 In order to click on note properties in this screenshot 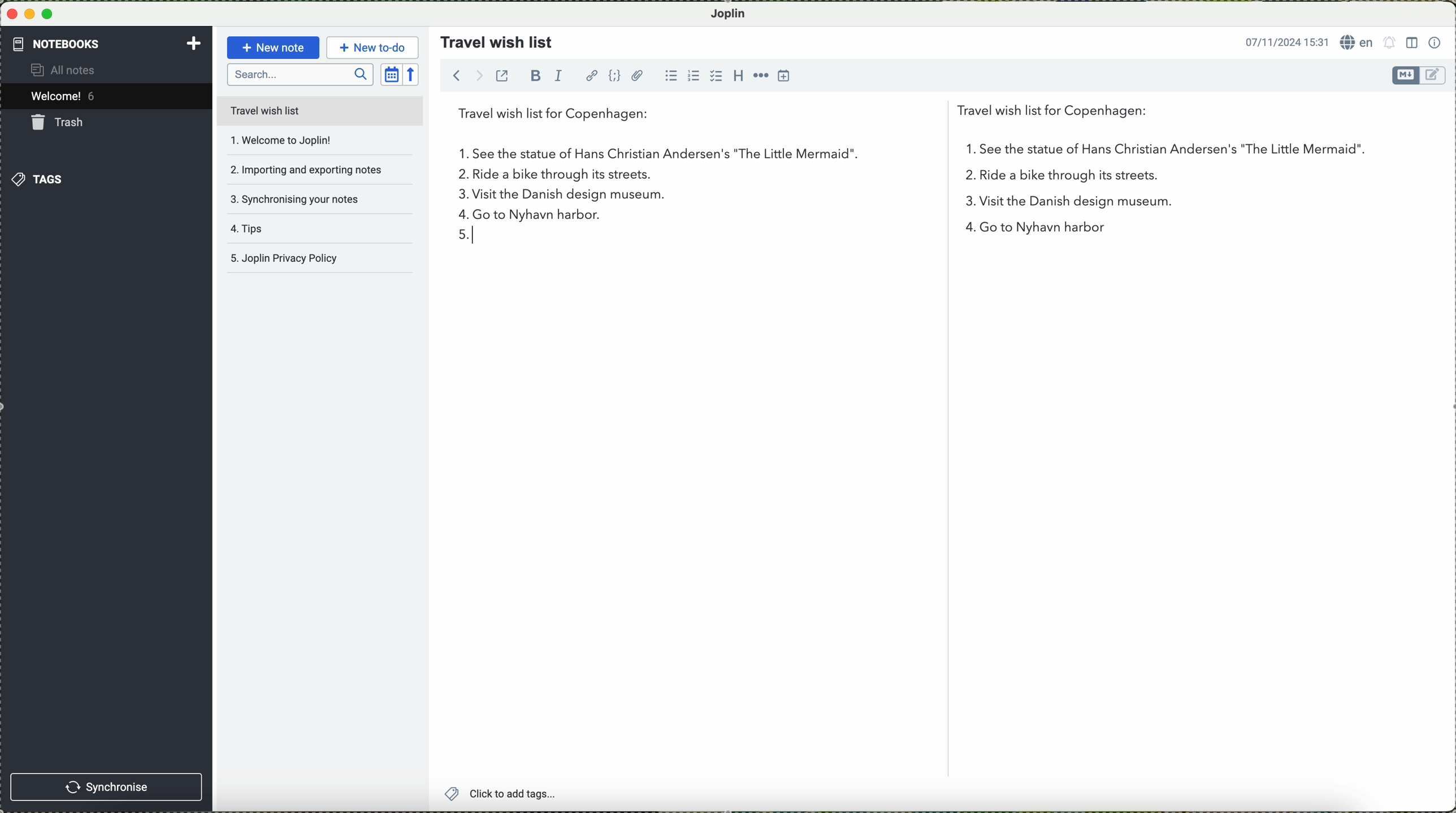, I will do `click(1435, 41)`.